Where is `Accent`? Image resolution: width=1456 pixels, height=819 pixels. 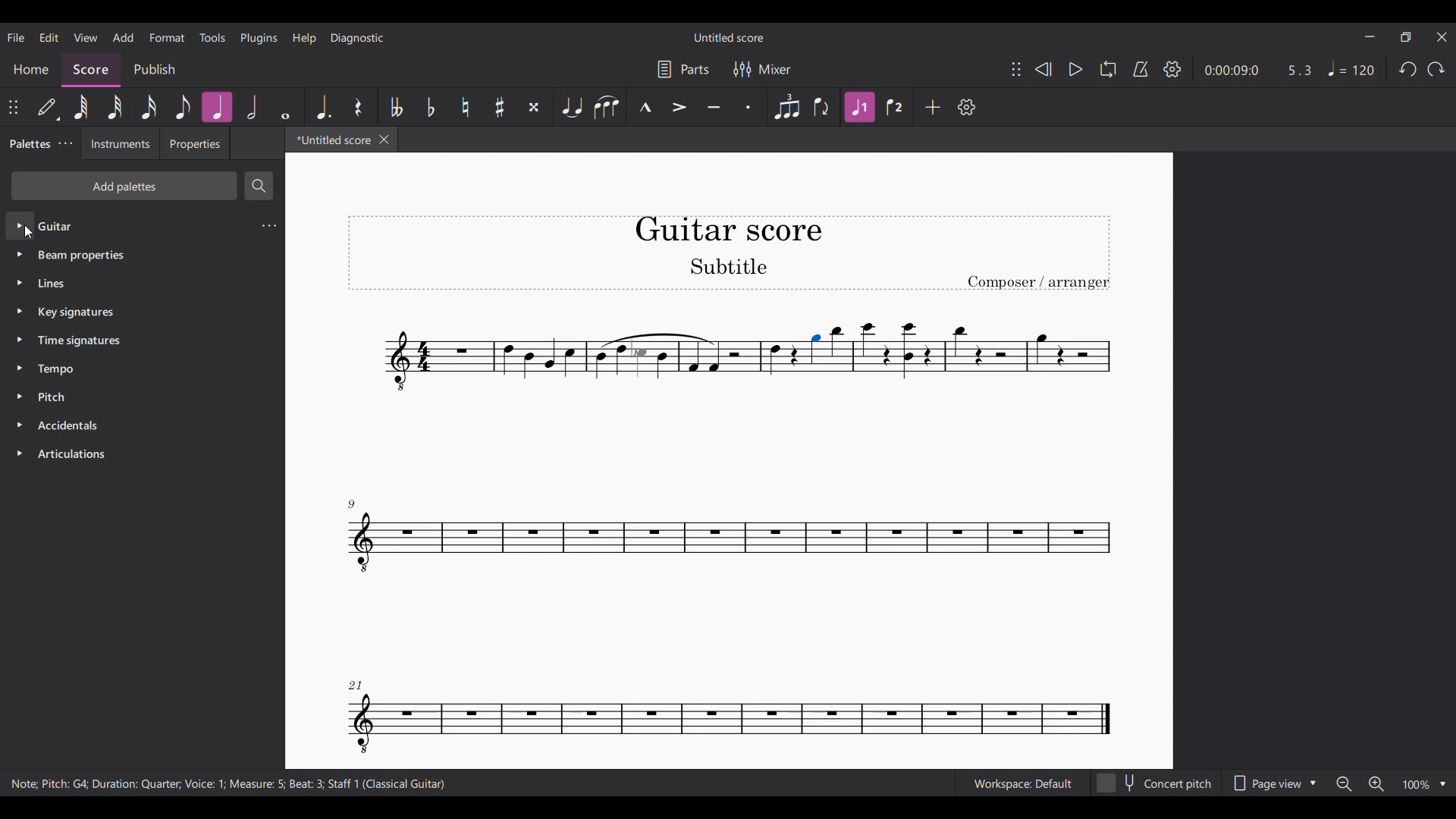
Accent is located at coordinates (679, 107).